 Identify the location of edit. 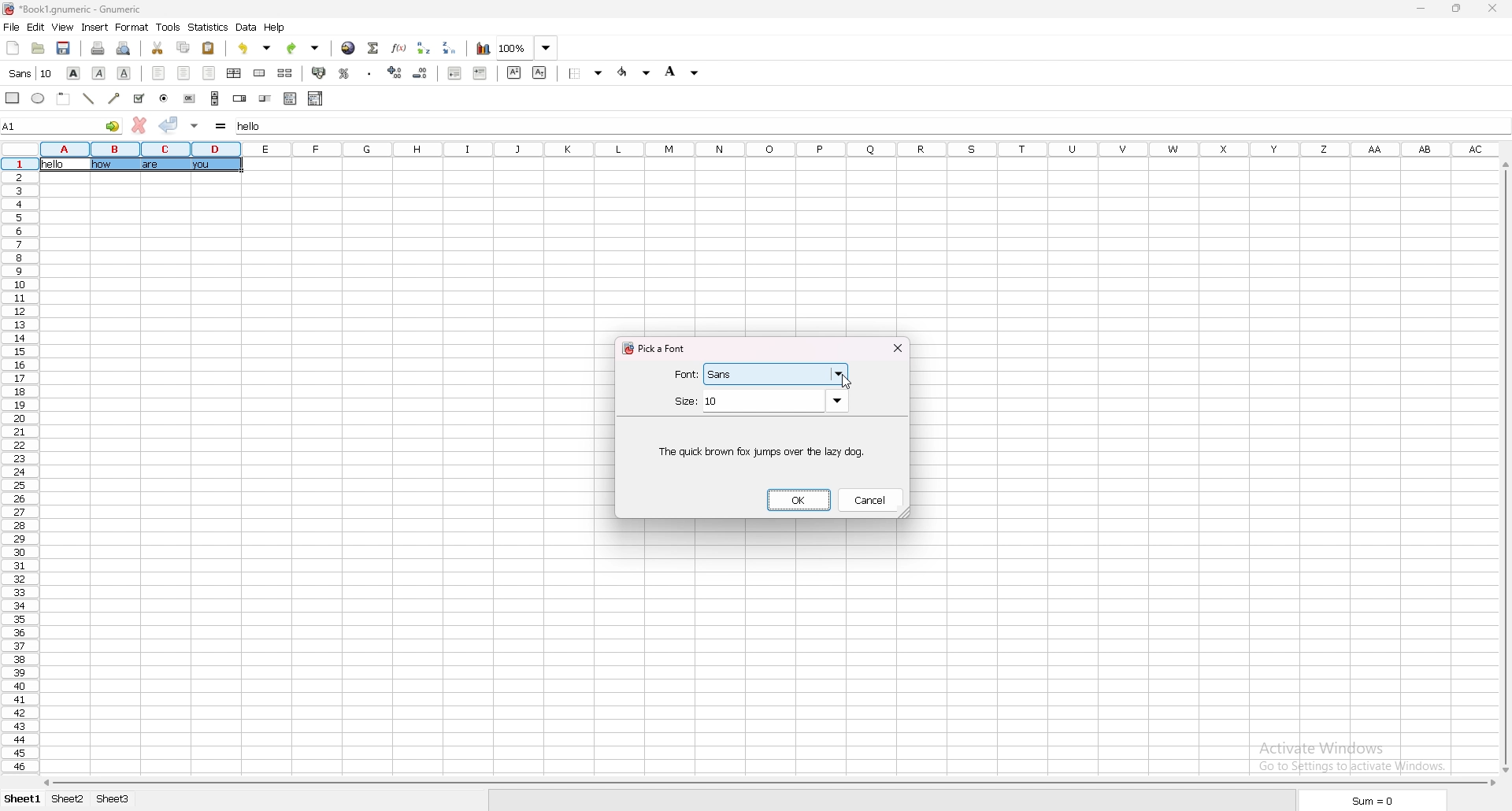
(36, 26).